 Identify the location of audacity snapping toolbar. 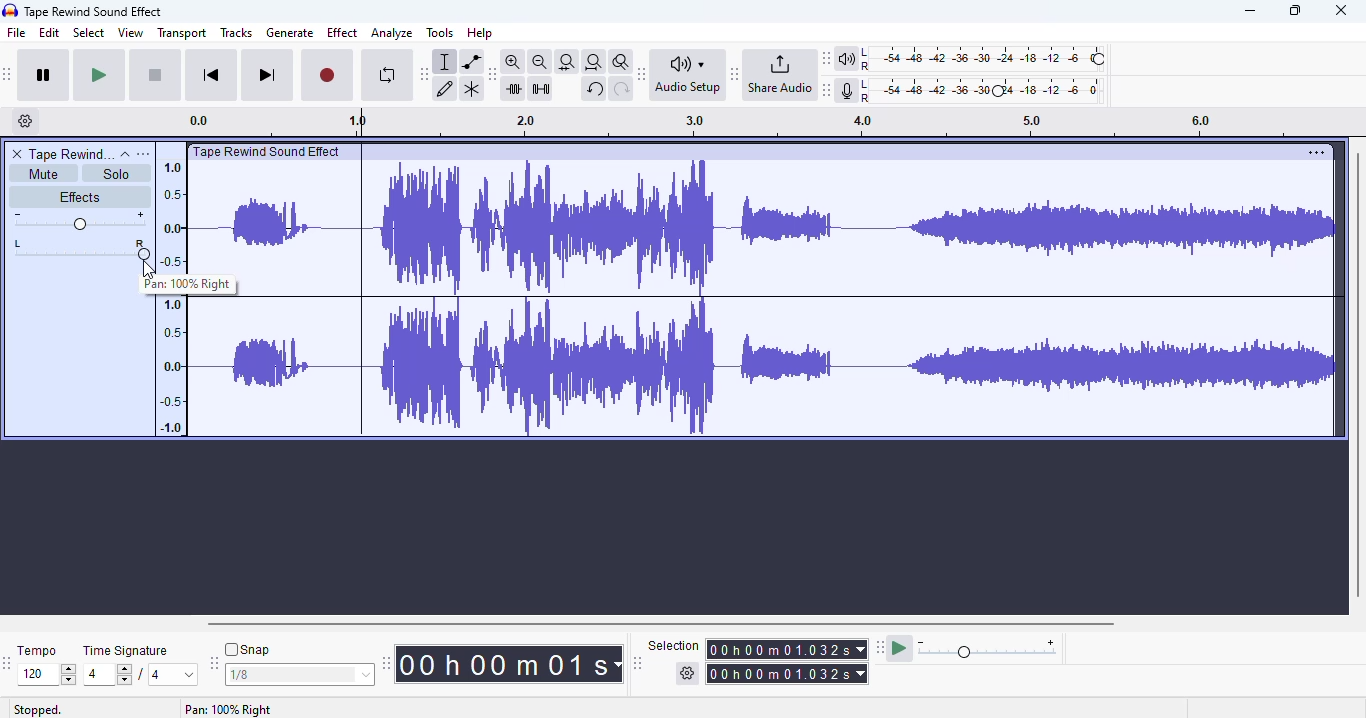
(213, 662).